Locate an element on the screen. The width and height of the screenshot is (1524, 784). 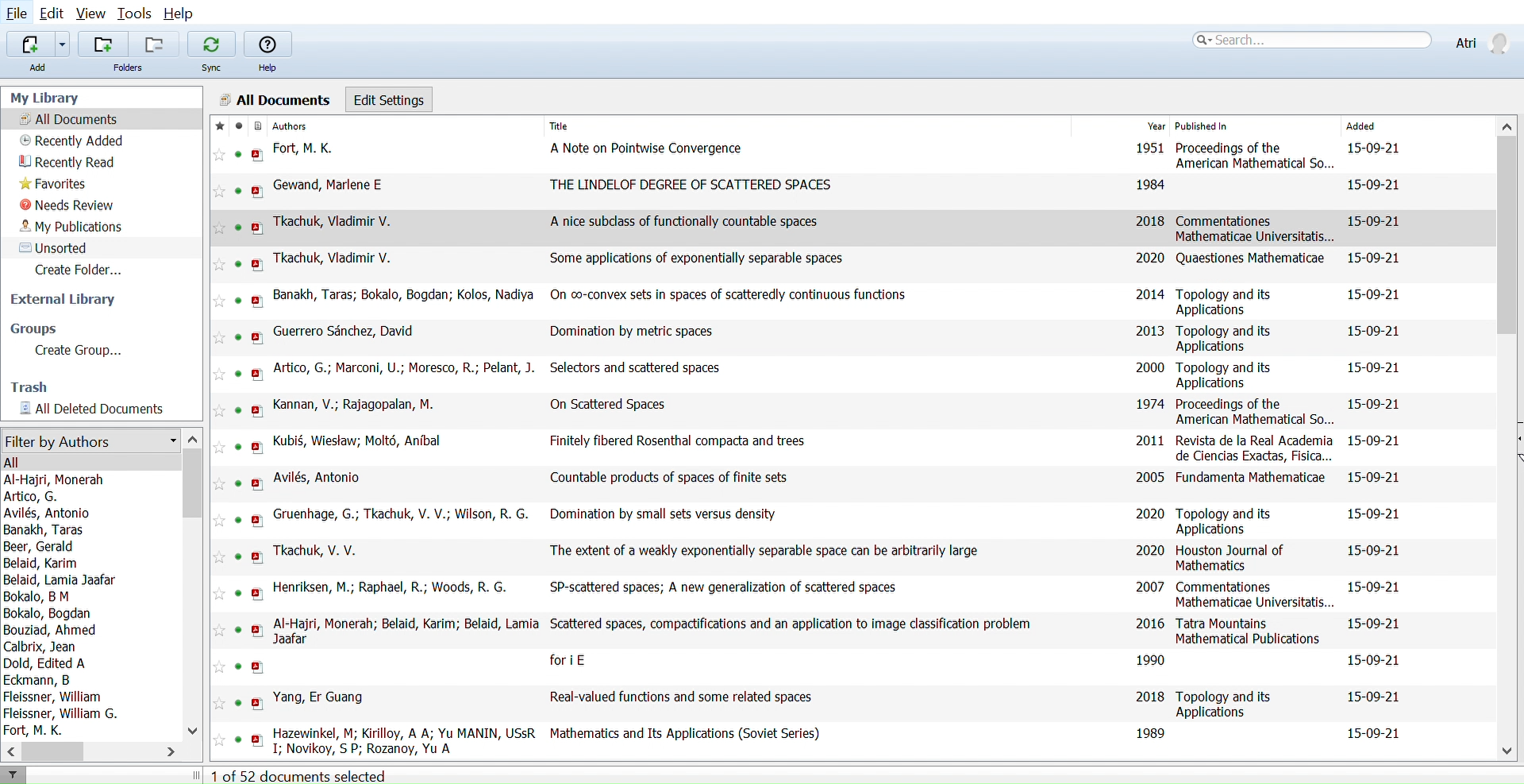
open PDF is located at coordinates (258, 338).